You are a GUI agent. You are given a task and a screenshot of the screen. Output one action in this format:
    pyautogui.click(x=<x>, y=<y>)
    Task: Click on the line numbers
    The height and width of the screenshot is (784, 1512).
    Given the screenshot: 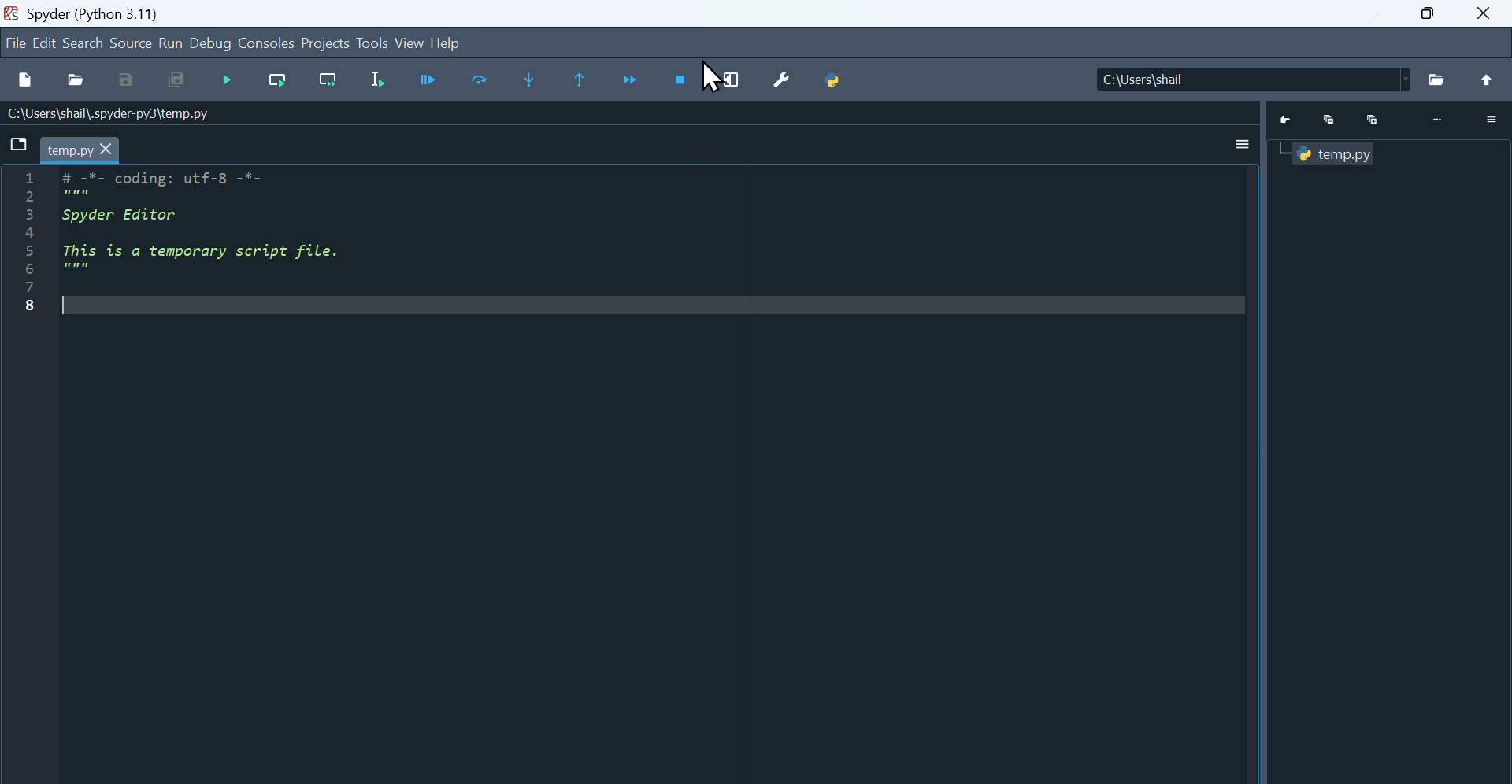 What is the action you would take?
    pyautogui.click(x=29, y=247)
    